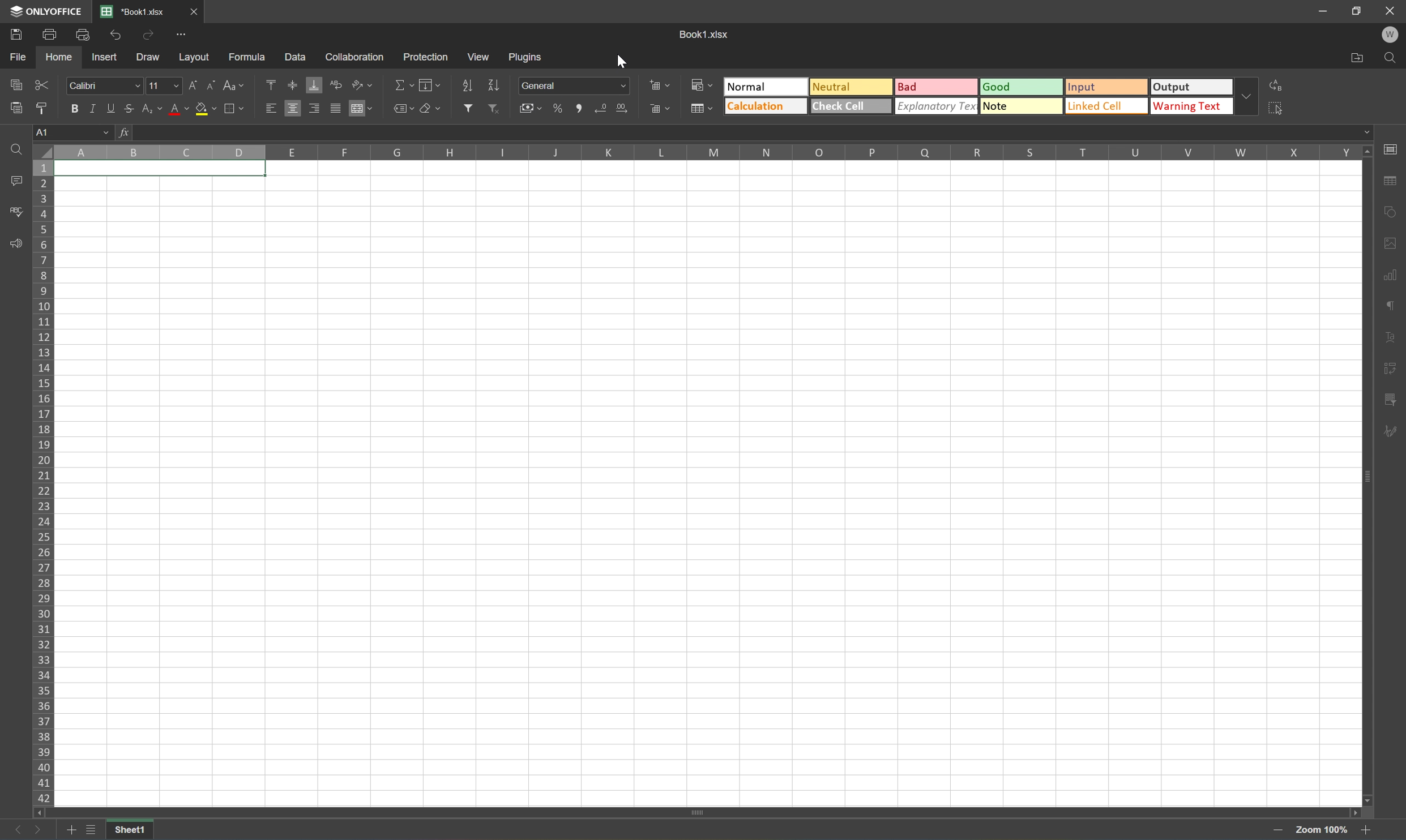 This screenshot has width=1406, height=840. I want to click on Increase decimal, so click(623, 109).